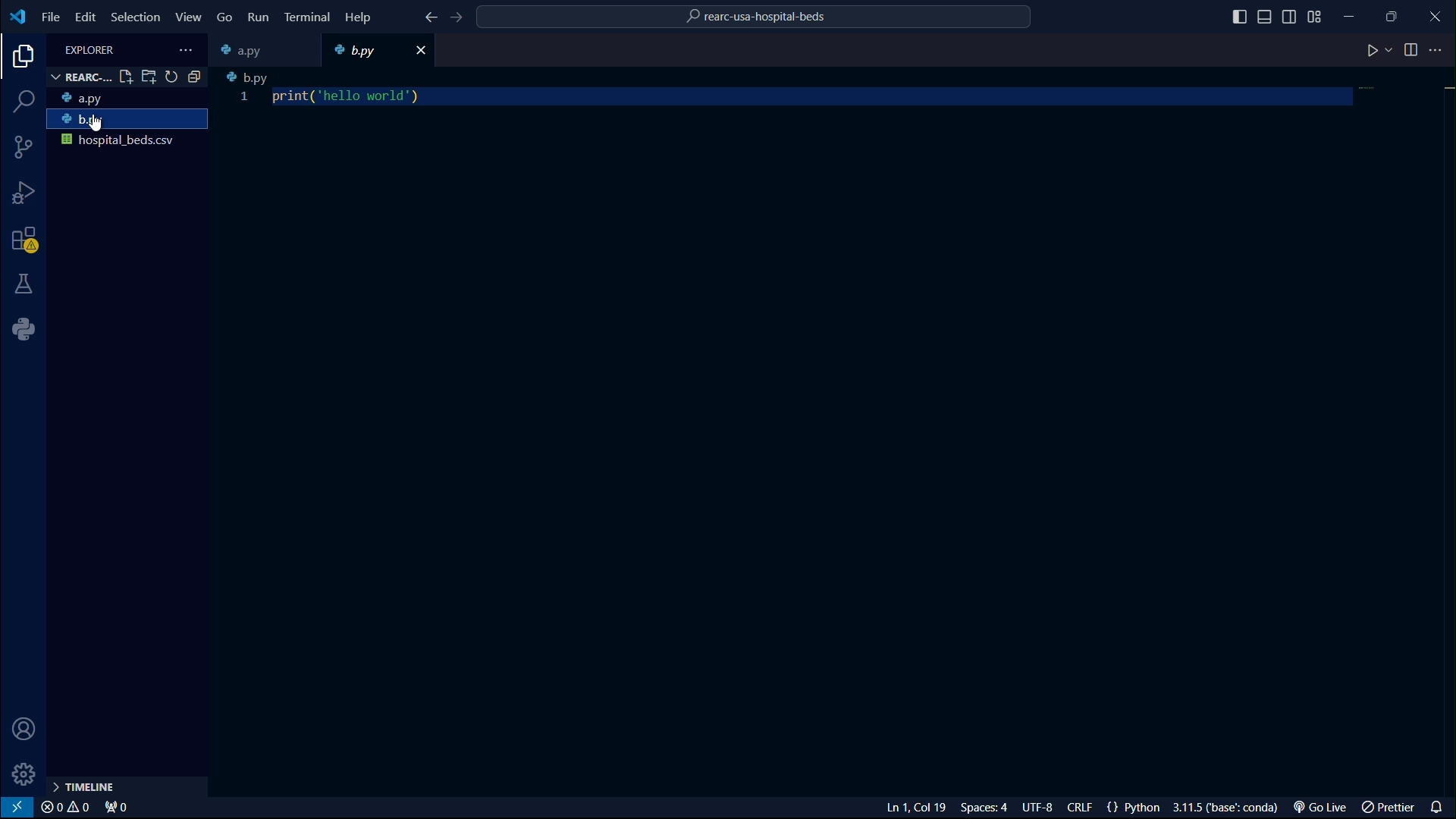 The image size is (1456, 819). Describe the element at coordinates (988, 808) in the screenshot. I see `Spaces: 4` at that location.